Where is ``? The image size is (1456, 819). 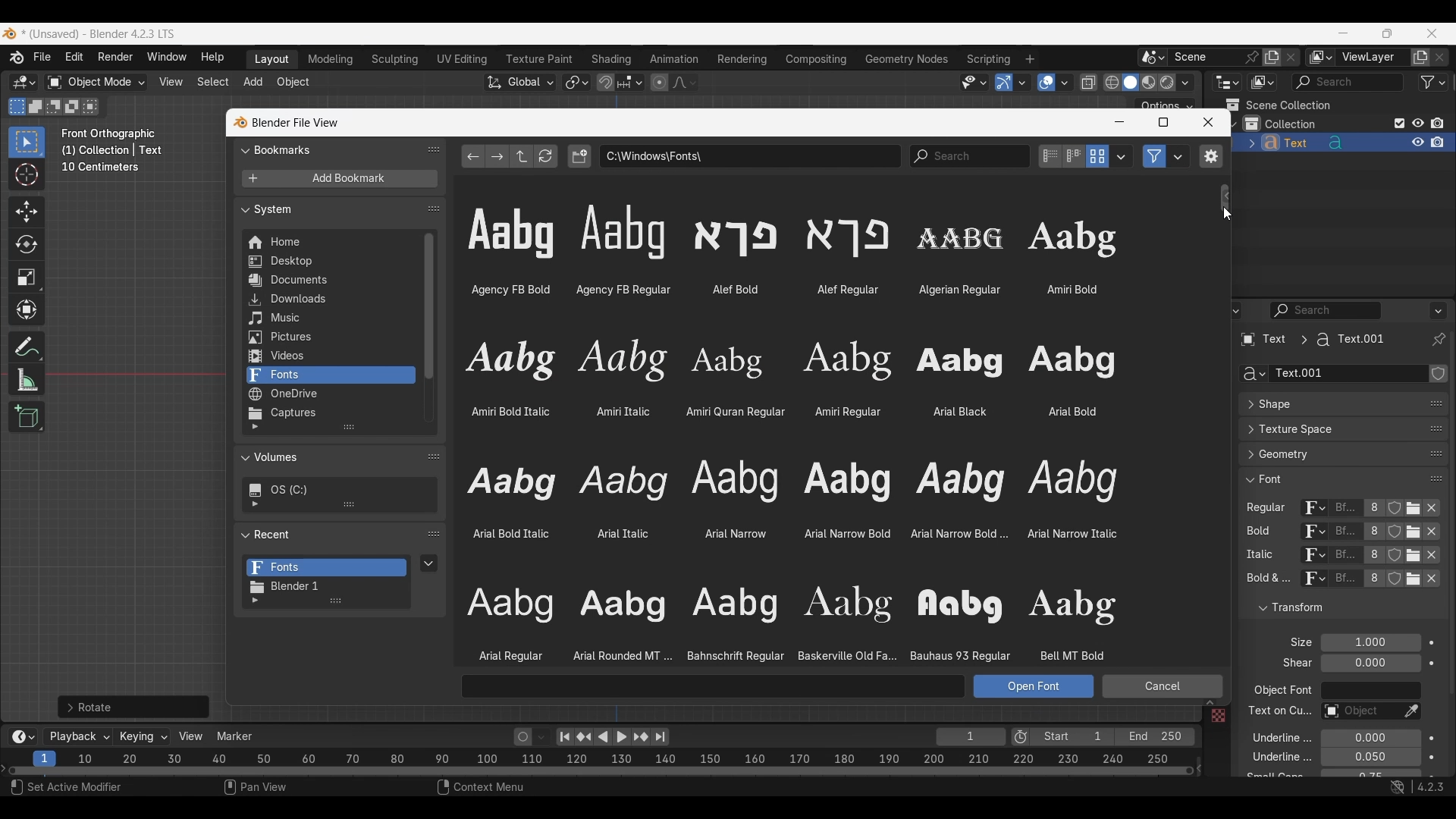  is located at coordinates (1278, 713).